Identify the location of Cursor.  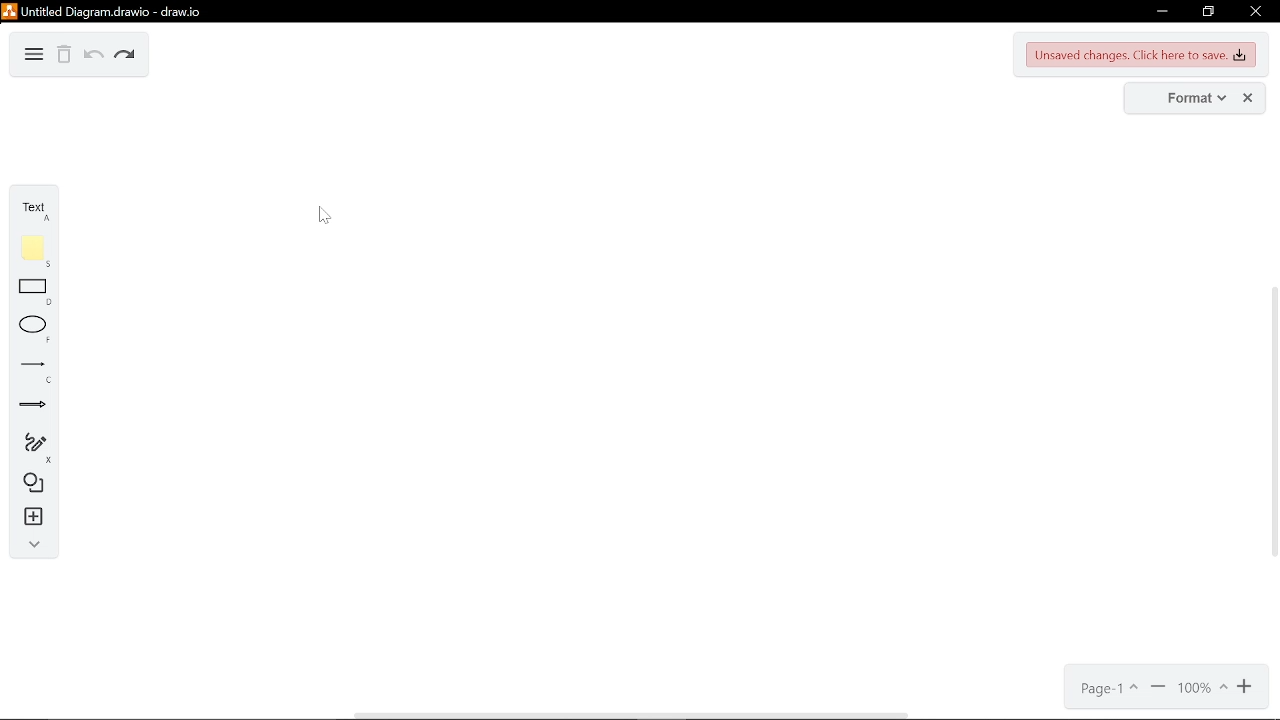
(323, 213).